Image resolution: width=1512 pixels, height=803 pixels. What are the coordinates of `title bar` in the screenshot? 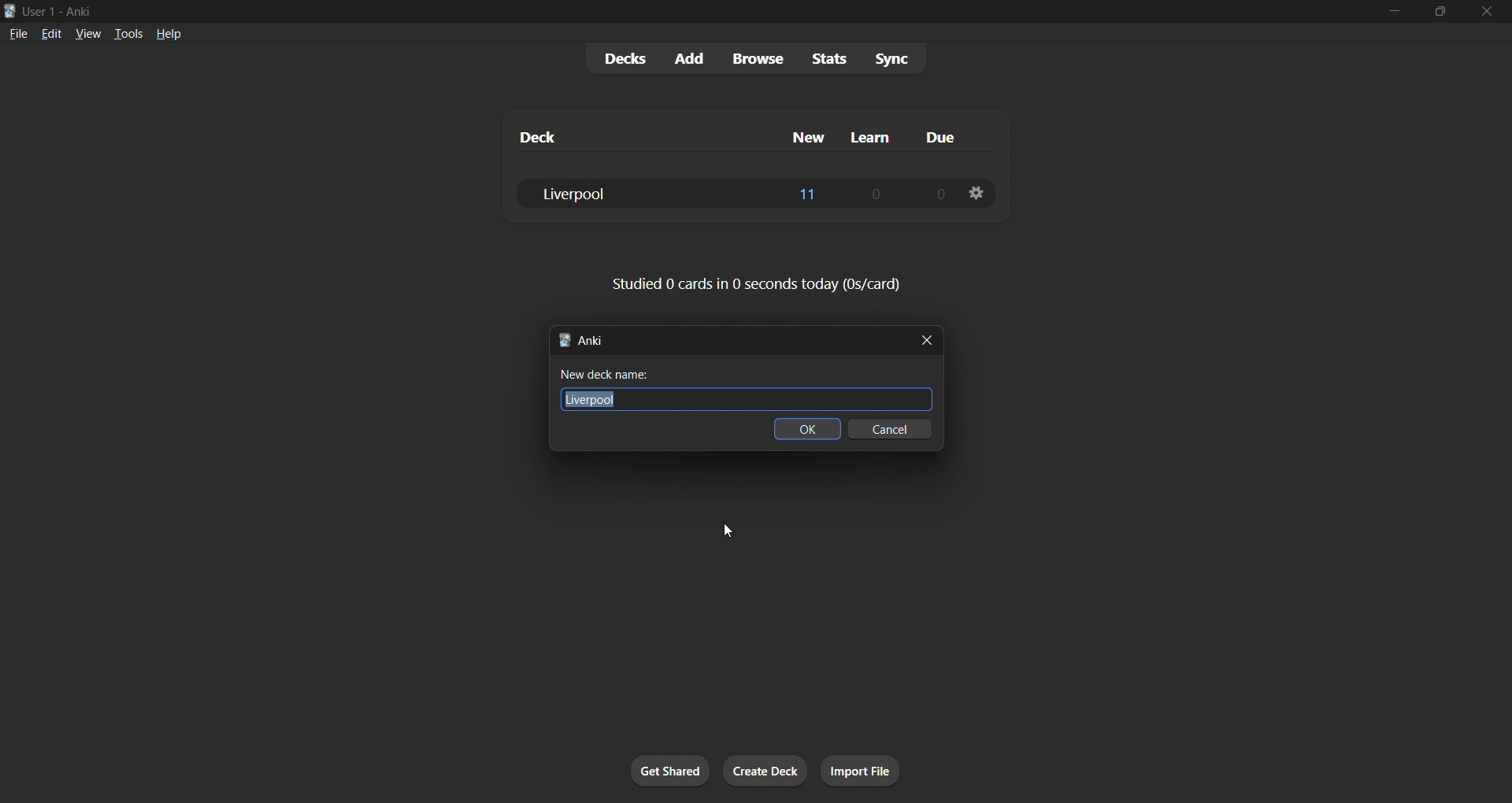 It's located at (651, 13).